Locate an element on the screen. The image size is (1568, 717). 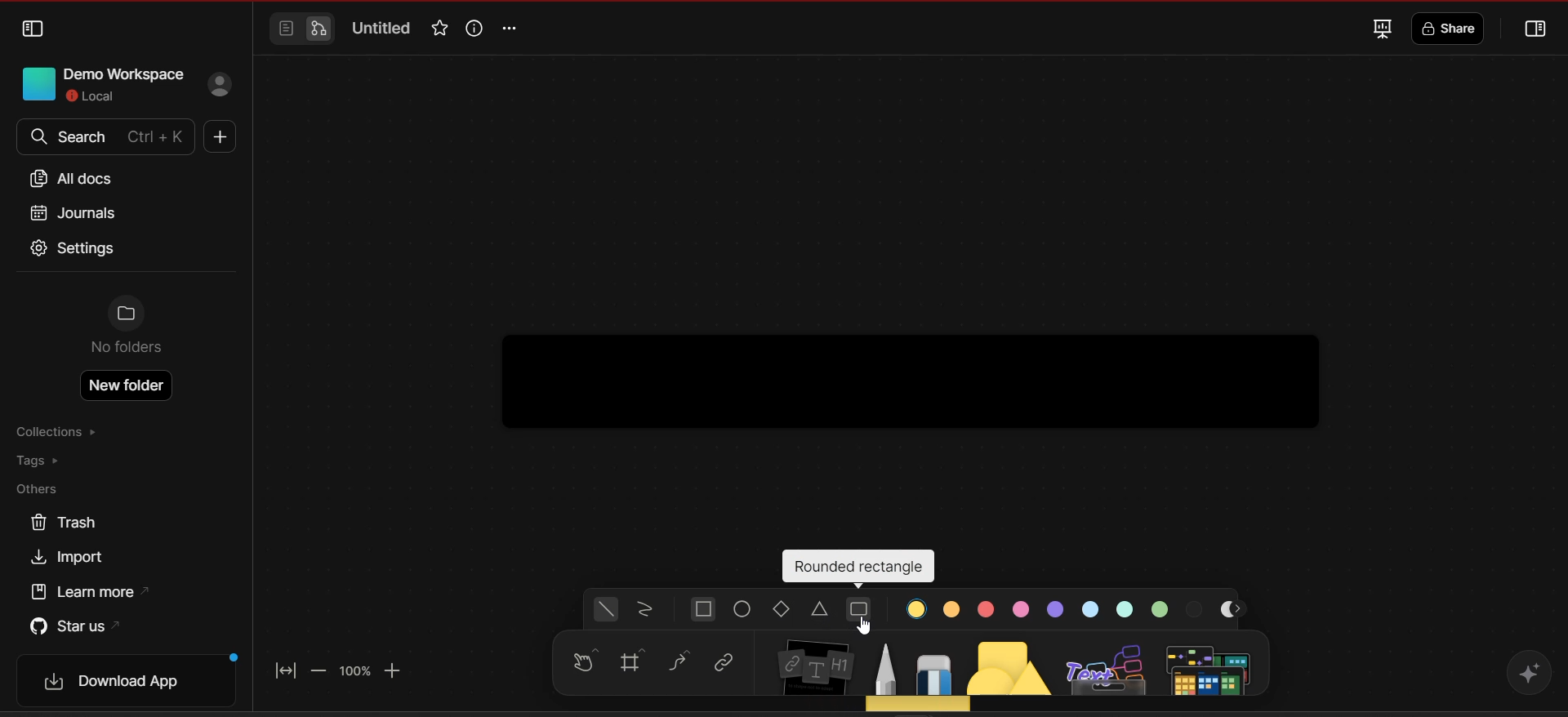
square is located at coordinates (704, 609).